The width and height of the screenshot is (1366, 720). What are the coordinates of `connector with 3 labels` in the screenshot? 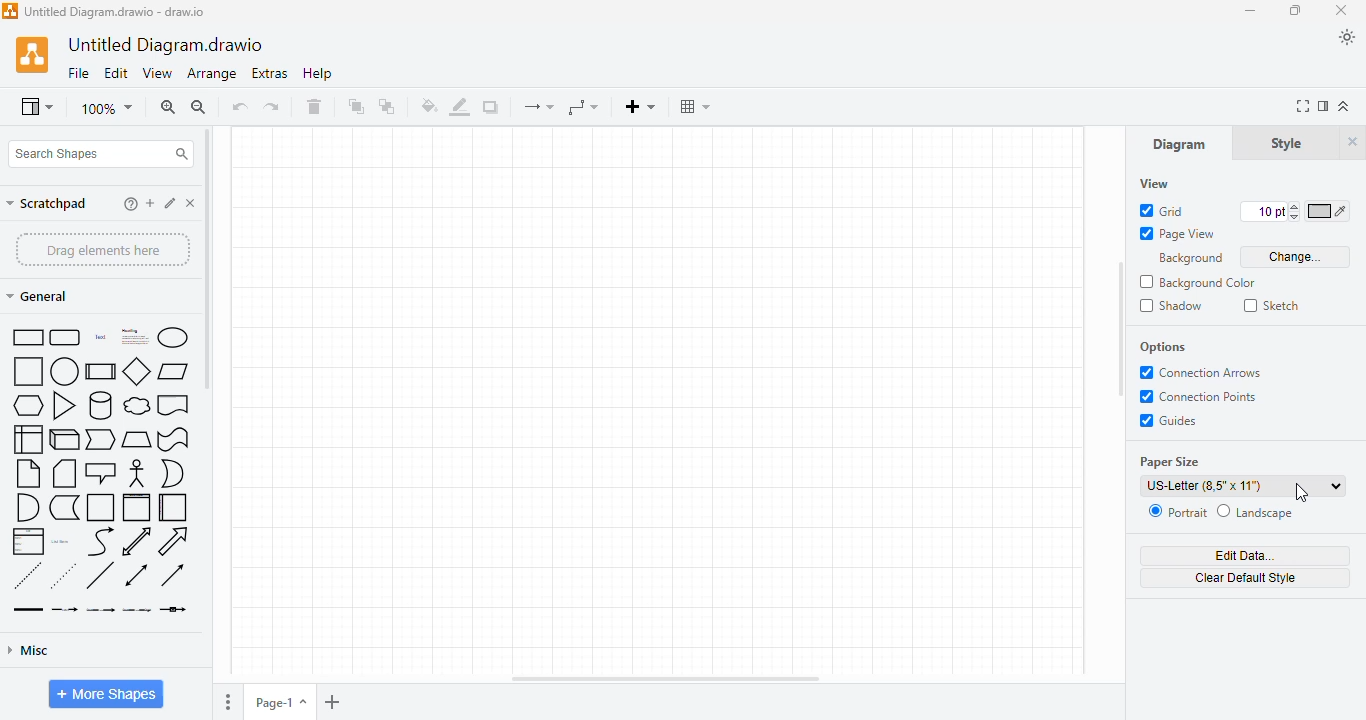 It's located at (137, 610).